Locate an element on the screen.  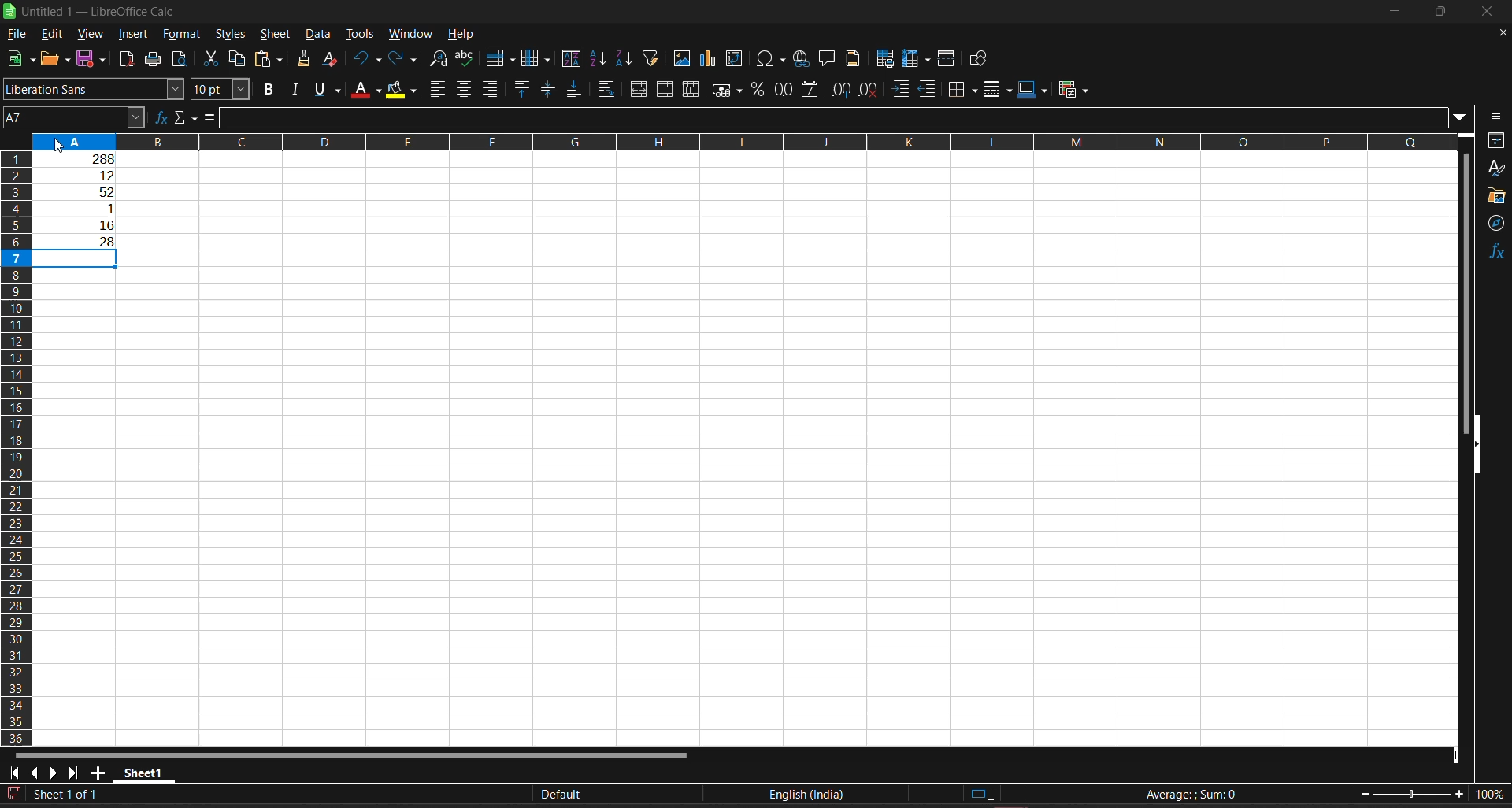
paste is located at coordinates (267, 60).